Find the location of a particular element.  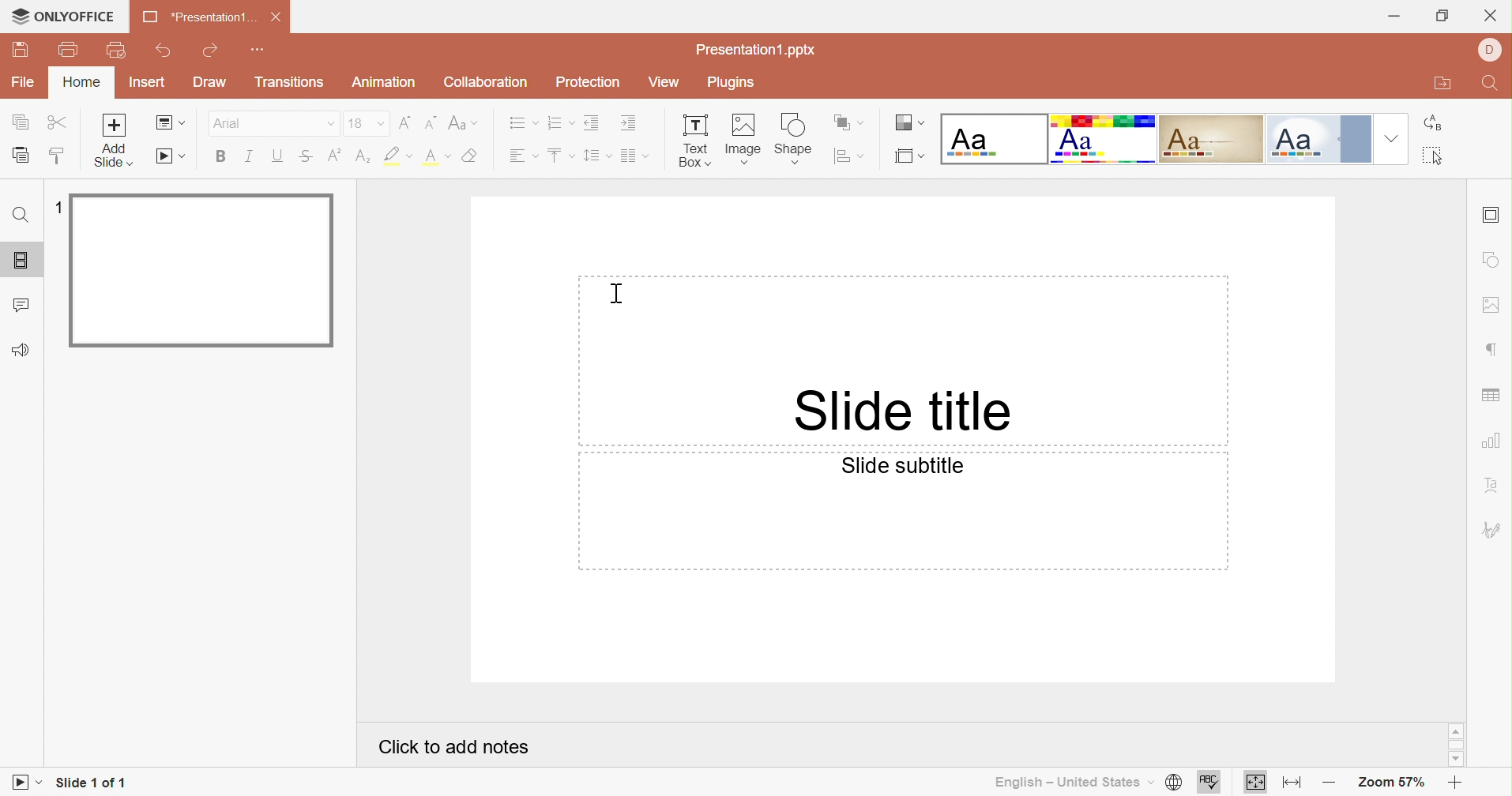

Decrement font size is located at coordinates (430, 122).